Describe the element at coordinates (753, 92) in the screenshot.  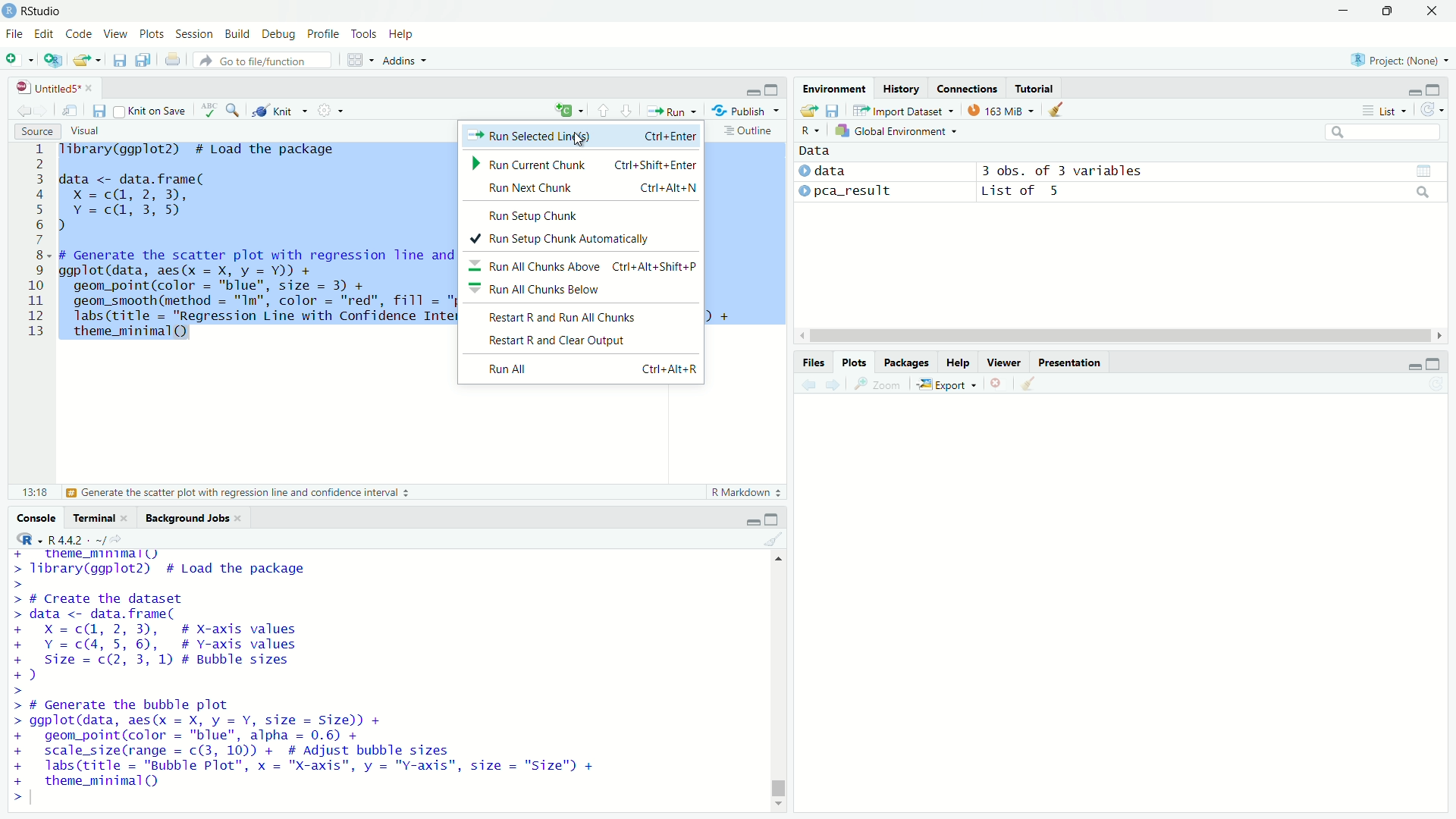
I see `minimize` at that location.